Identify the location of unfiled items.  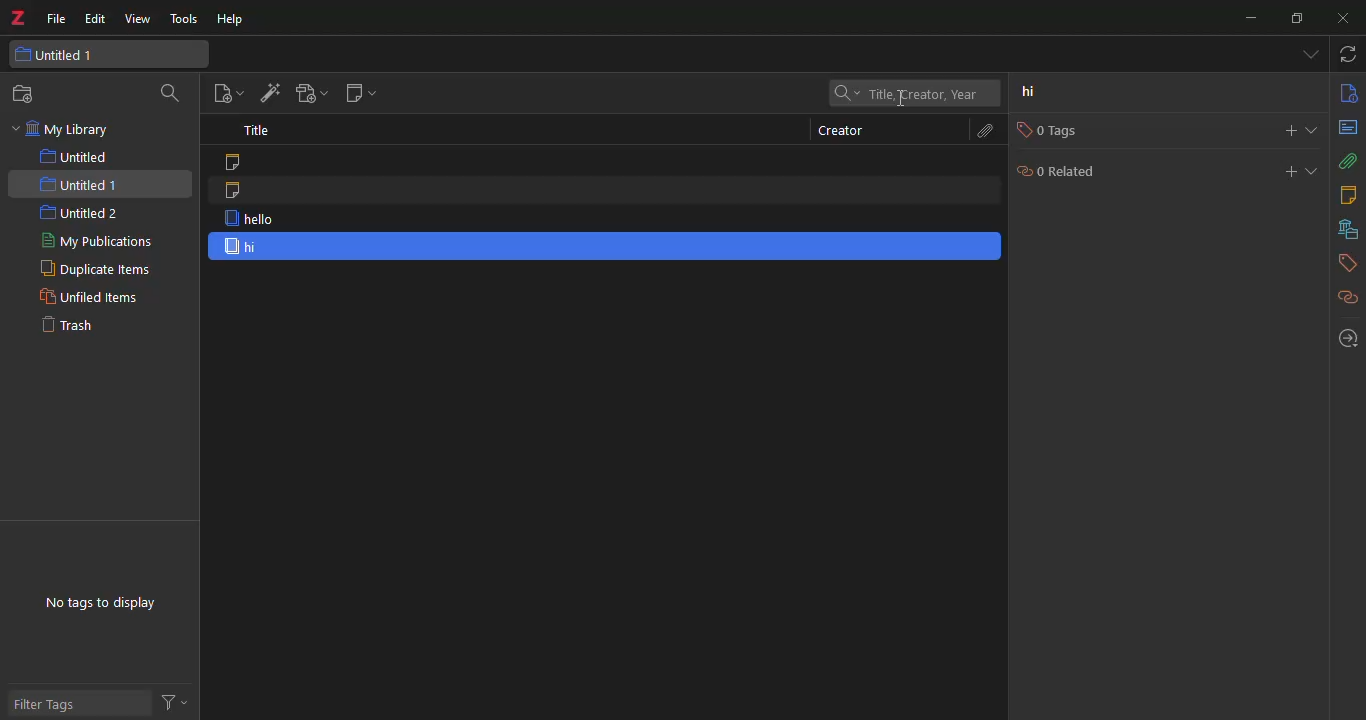
(86, 297).